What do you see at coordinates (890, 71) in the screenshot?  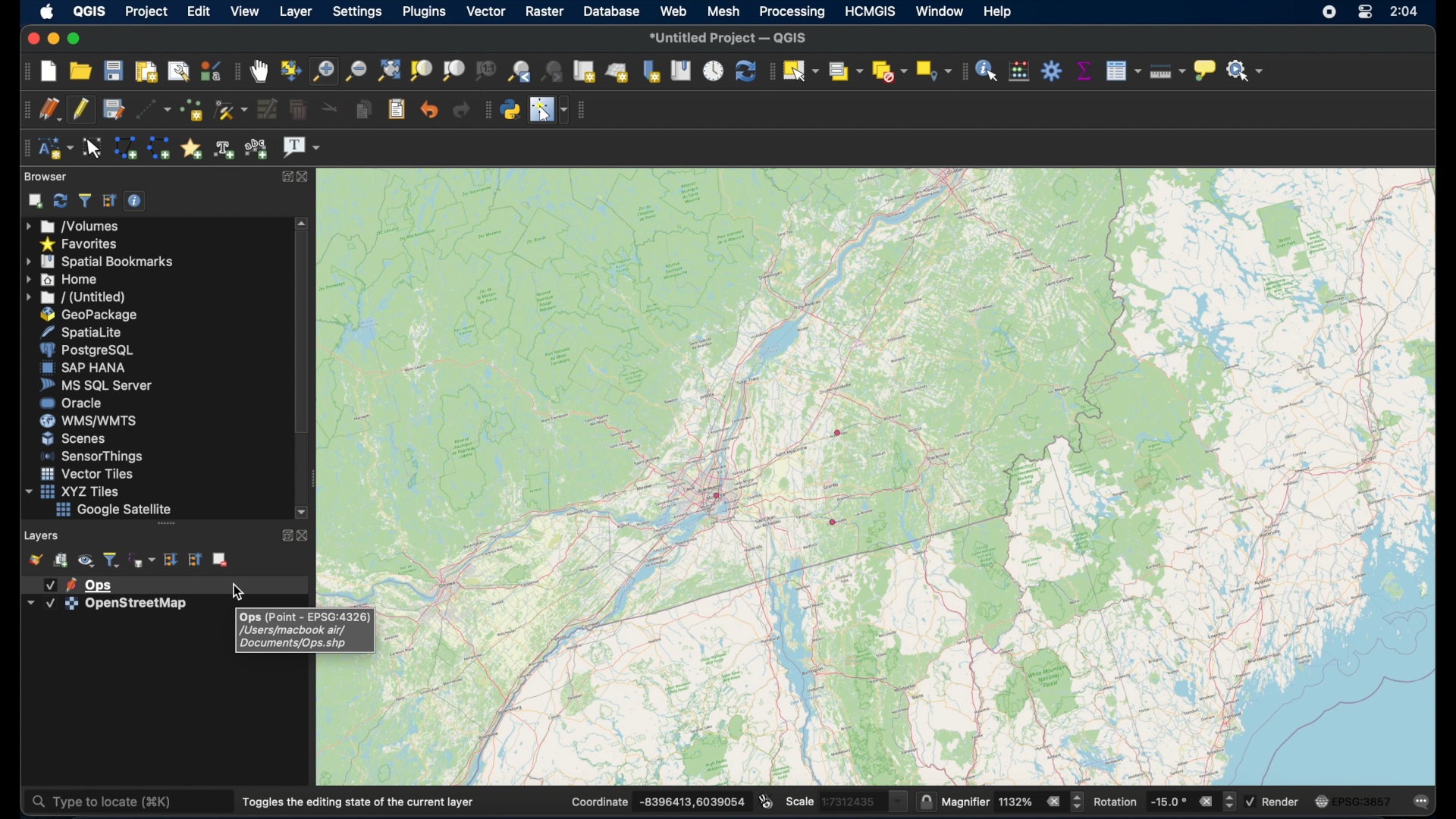 I see `deselect features from all layers` at bounding box center [890, 71].